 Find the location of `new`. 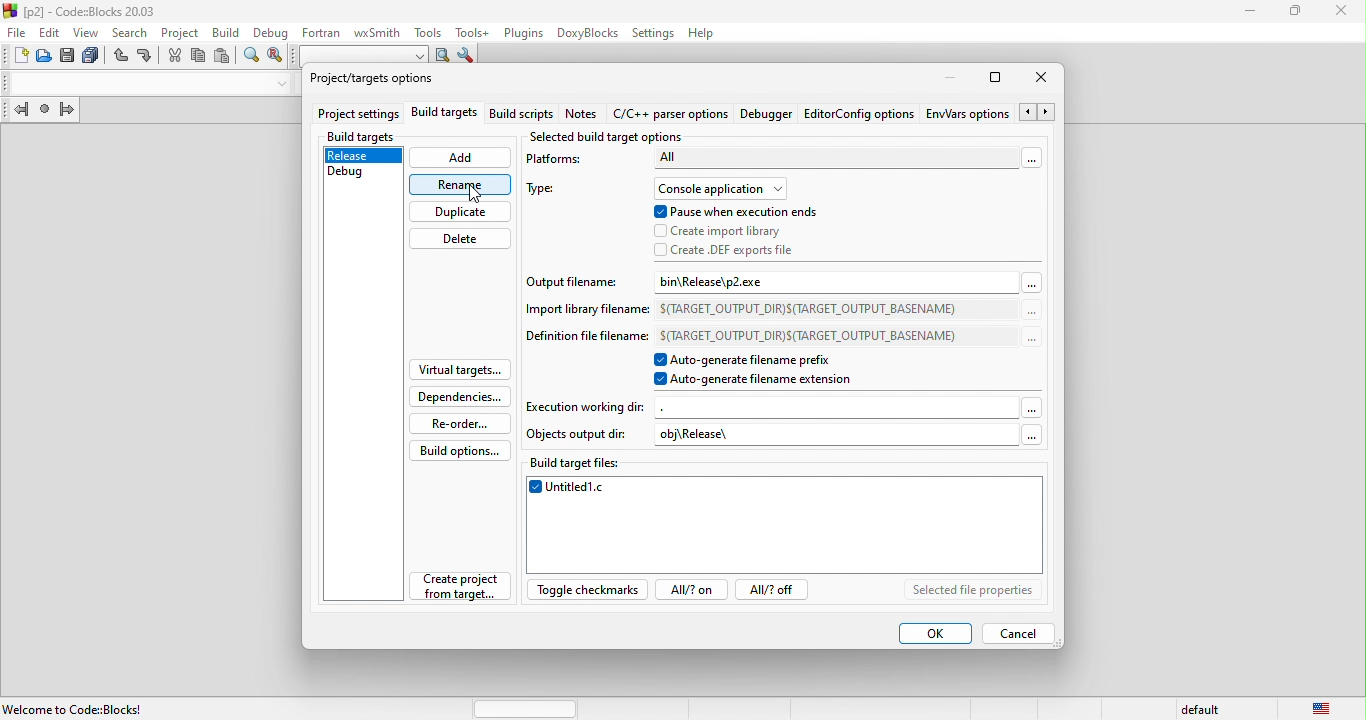

new is located at coordinates (15, 58).